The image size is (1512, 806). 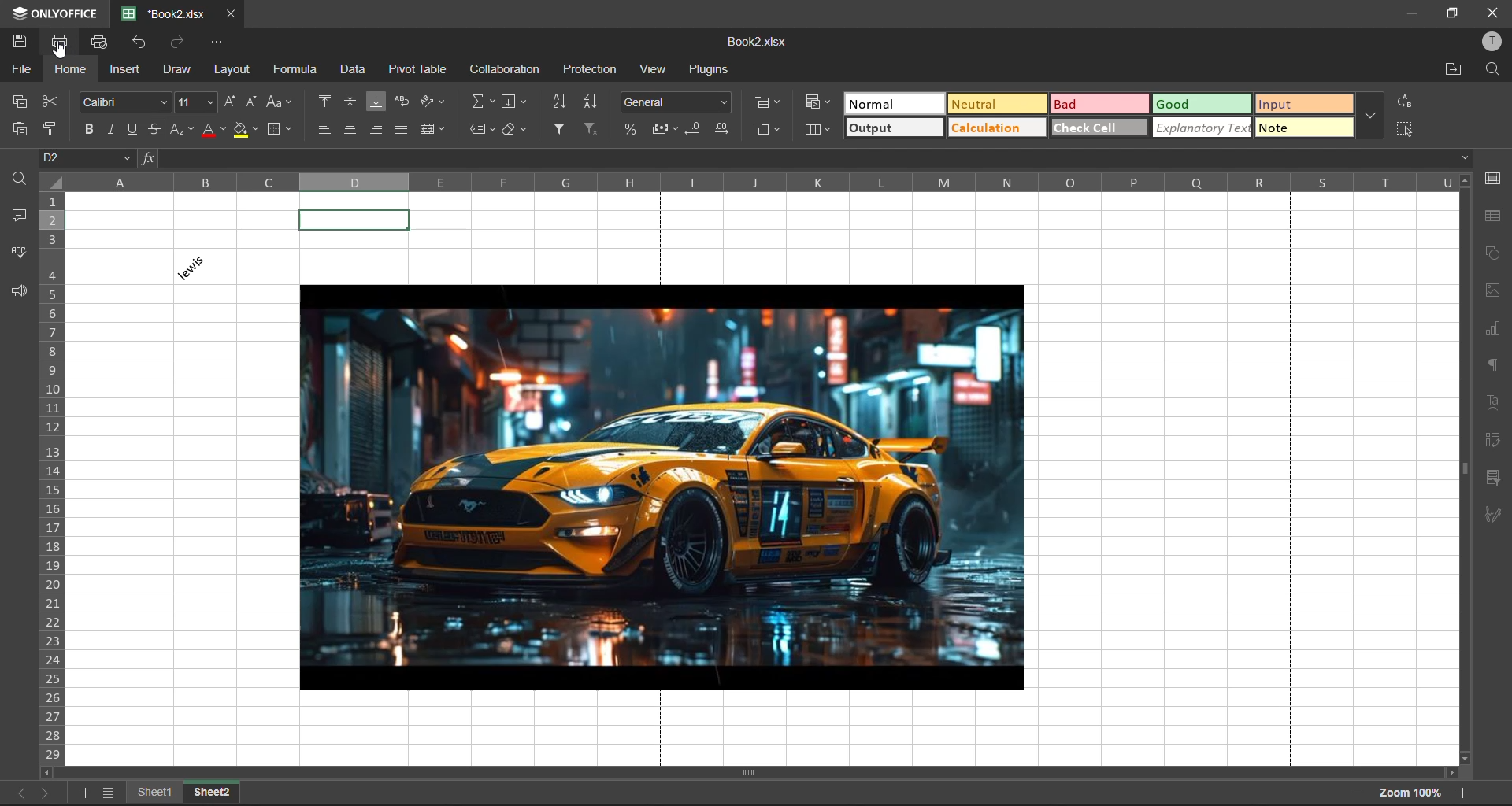 What do you see at coordinates (592, 69) in the screenshot?
I see `protection` at bounding box center [592, 69].